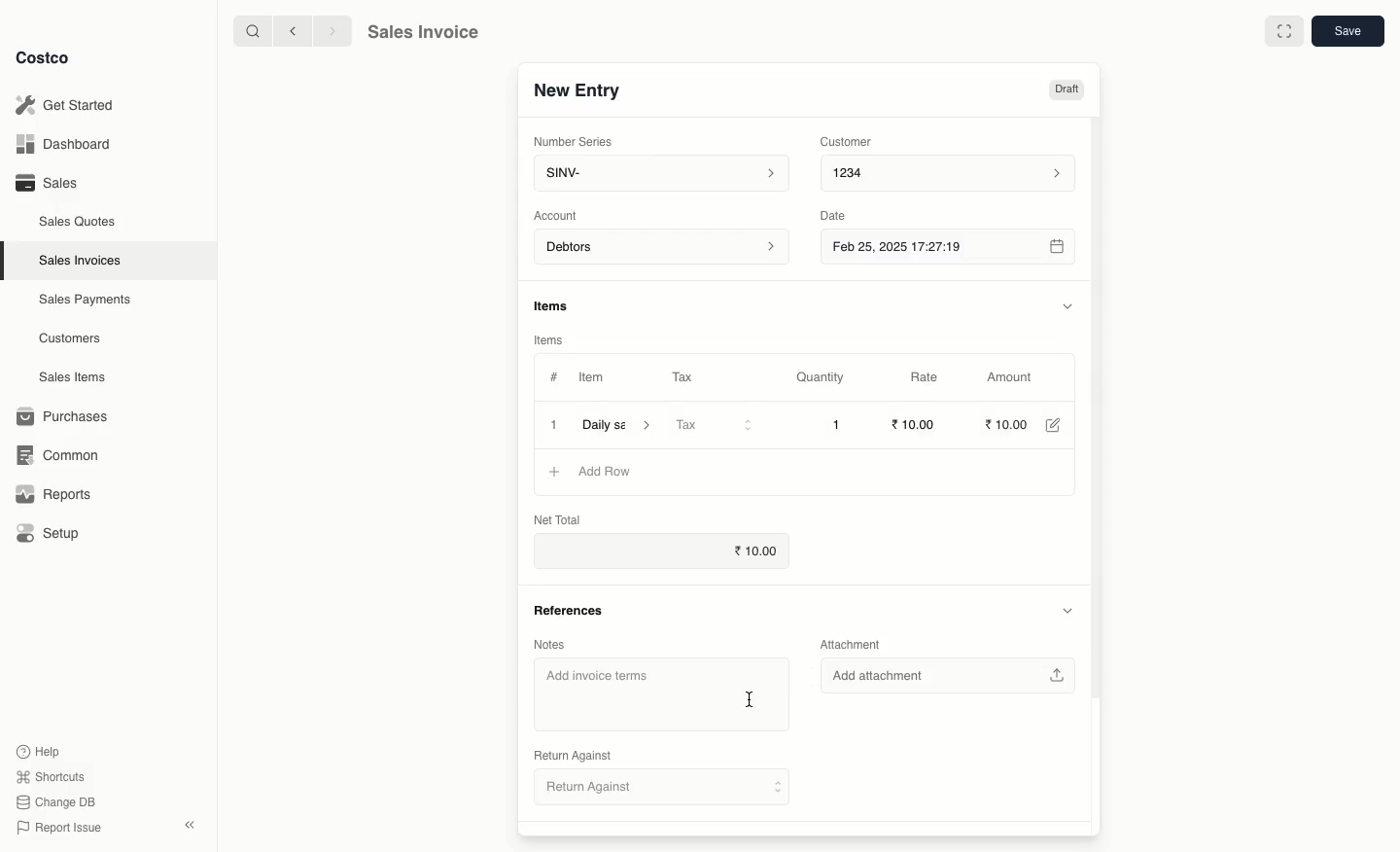 The width and height of the screenshot is (1400, 852). What do you see at coordinates (57, 801) in the screenshot?
I see `Change DB` at bounding box center [57, 801].